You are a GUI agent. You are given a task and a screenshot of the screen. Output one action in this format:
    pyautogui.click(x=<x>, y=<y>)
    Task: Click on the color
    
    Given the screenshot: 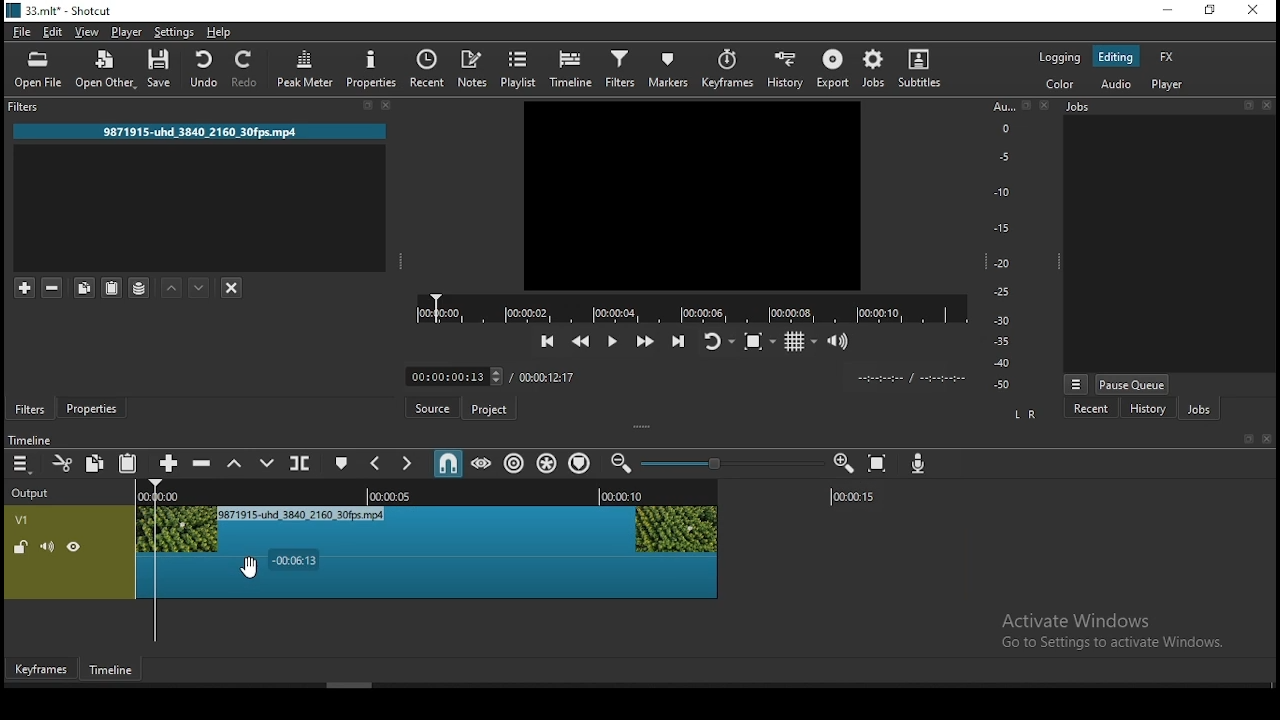 What is the action you would take?
    pyautogui.click(x=1063, y=86)
    